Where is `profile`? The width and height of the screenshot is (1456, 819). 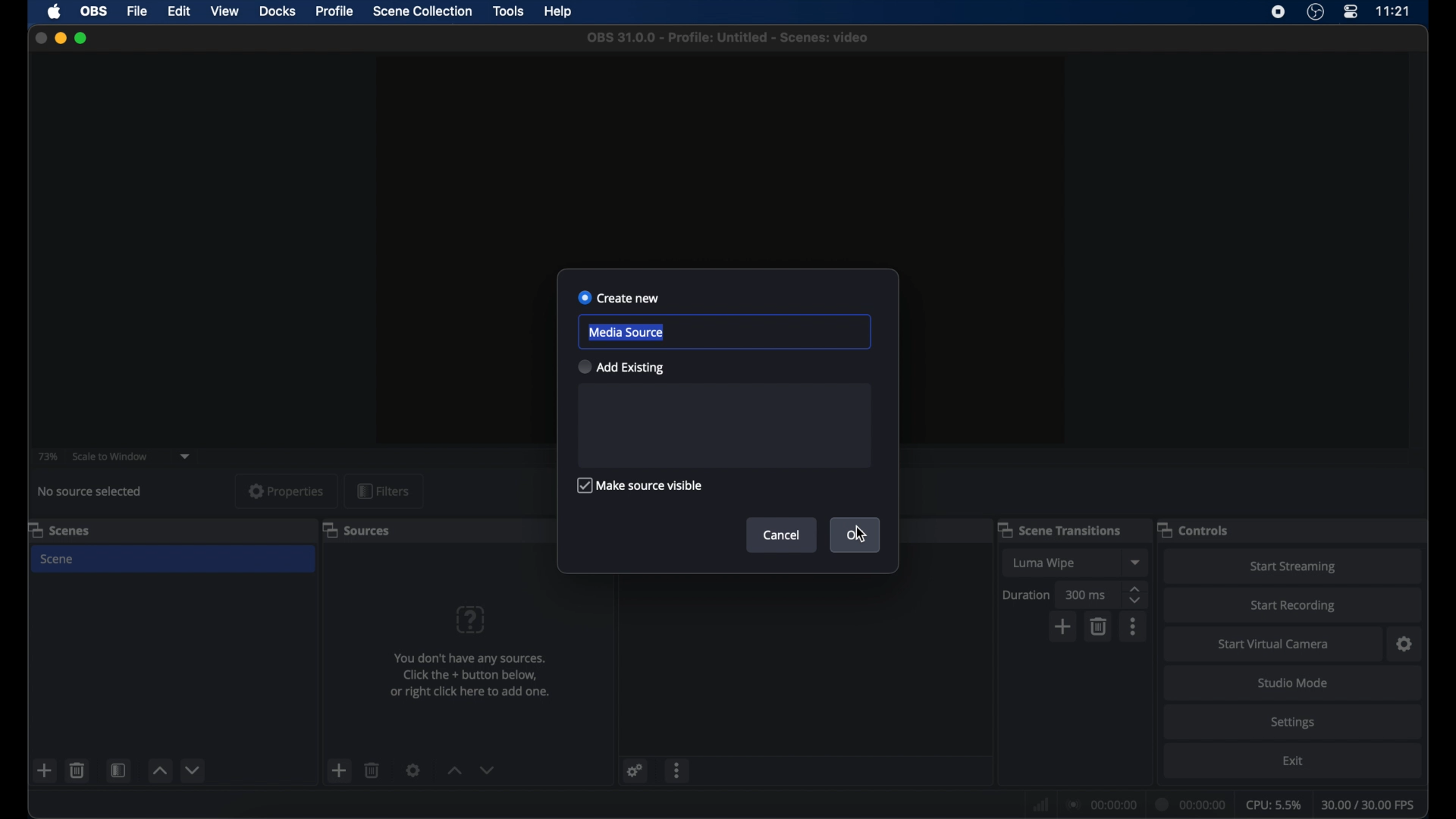 profile is located at coordinates (335, 11).